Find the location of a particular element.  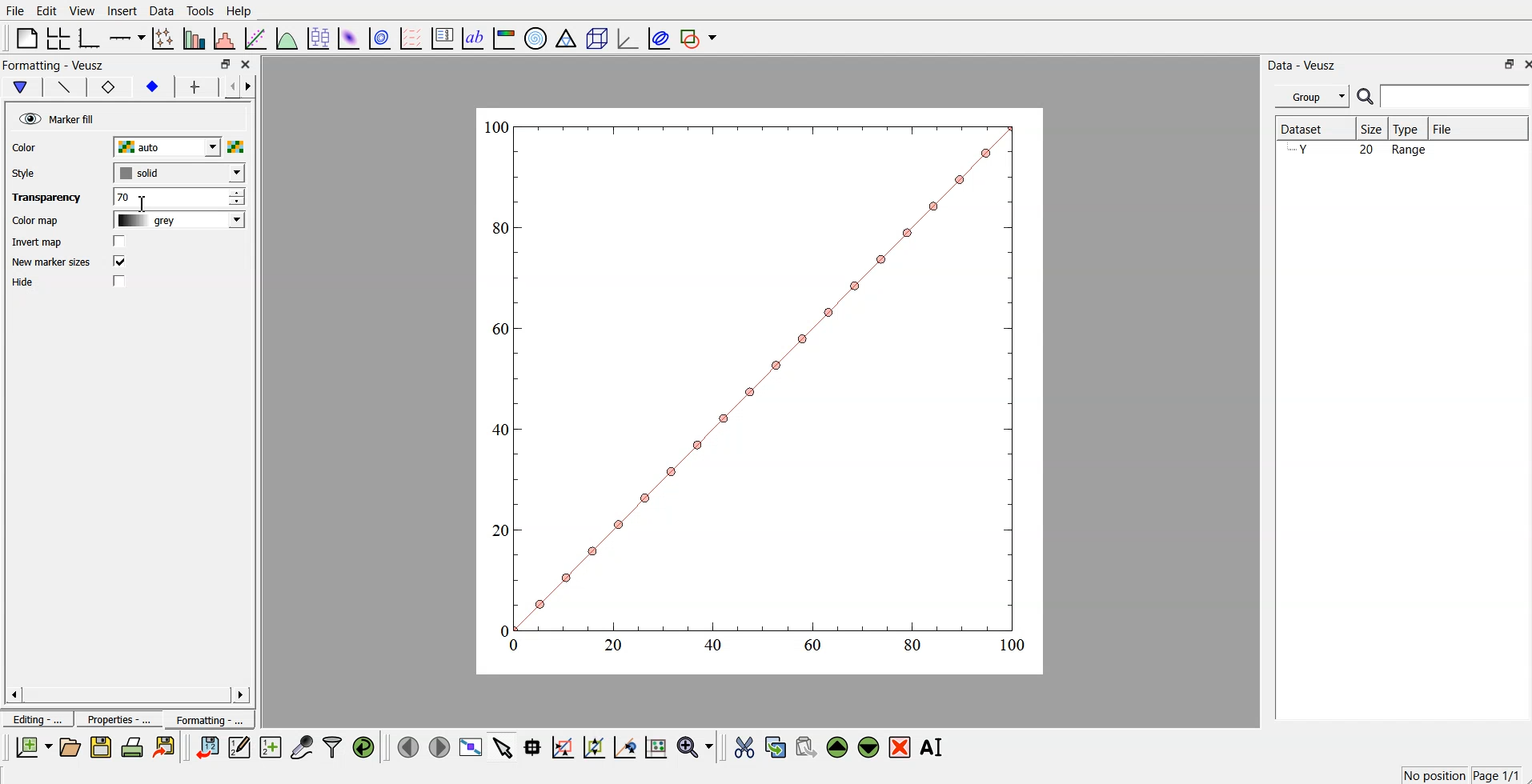

Data - Veusz is located at coordinates (1308, 64).